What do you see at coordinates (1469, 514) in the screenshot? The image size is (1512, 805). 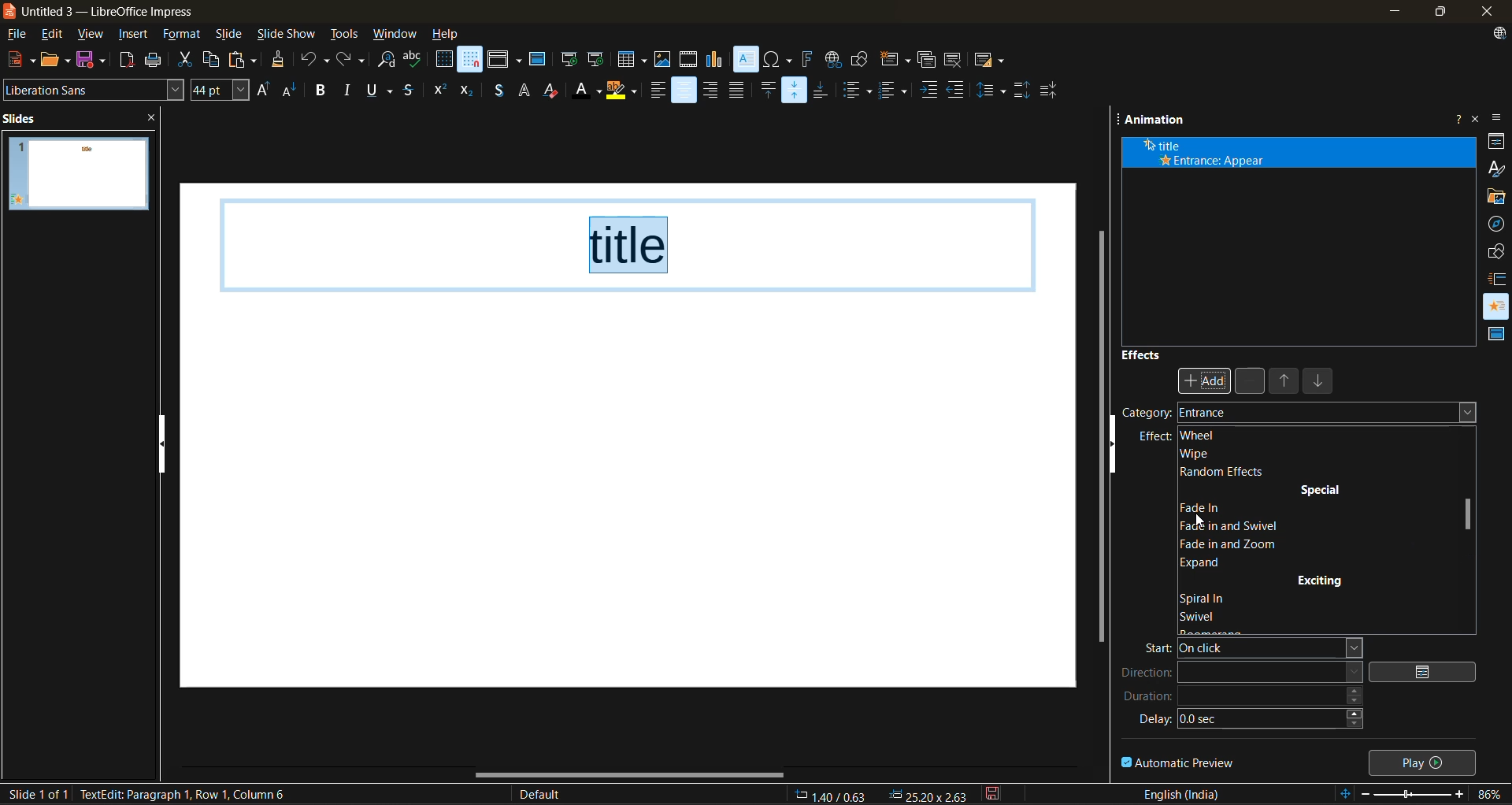 I see `vertical scroll bar` at bounding box center [1469, 514].